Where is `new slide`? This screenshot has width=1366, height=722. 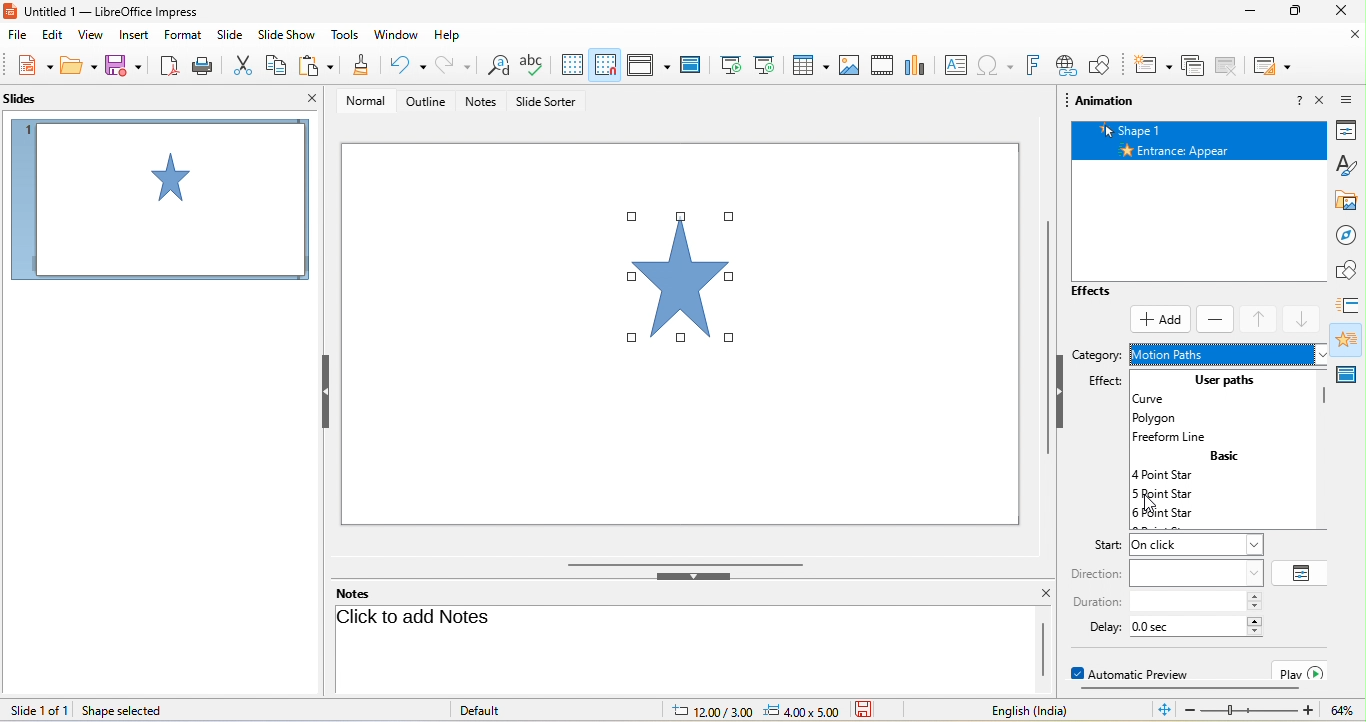
new slide is located at coordinates (1153, 67).